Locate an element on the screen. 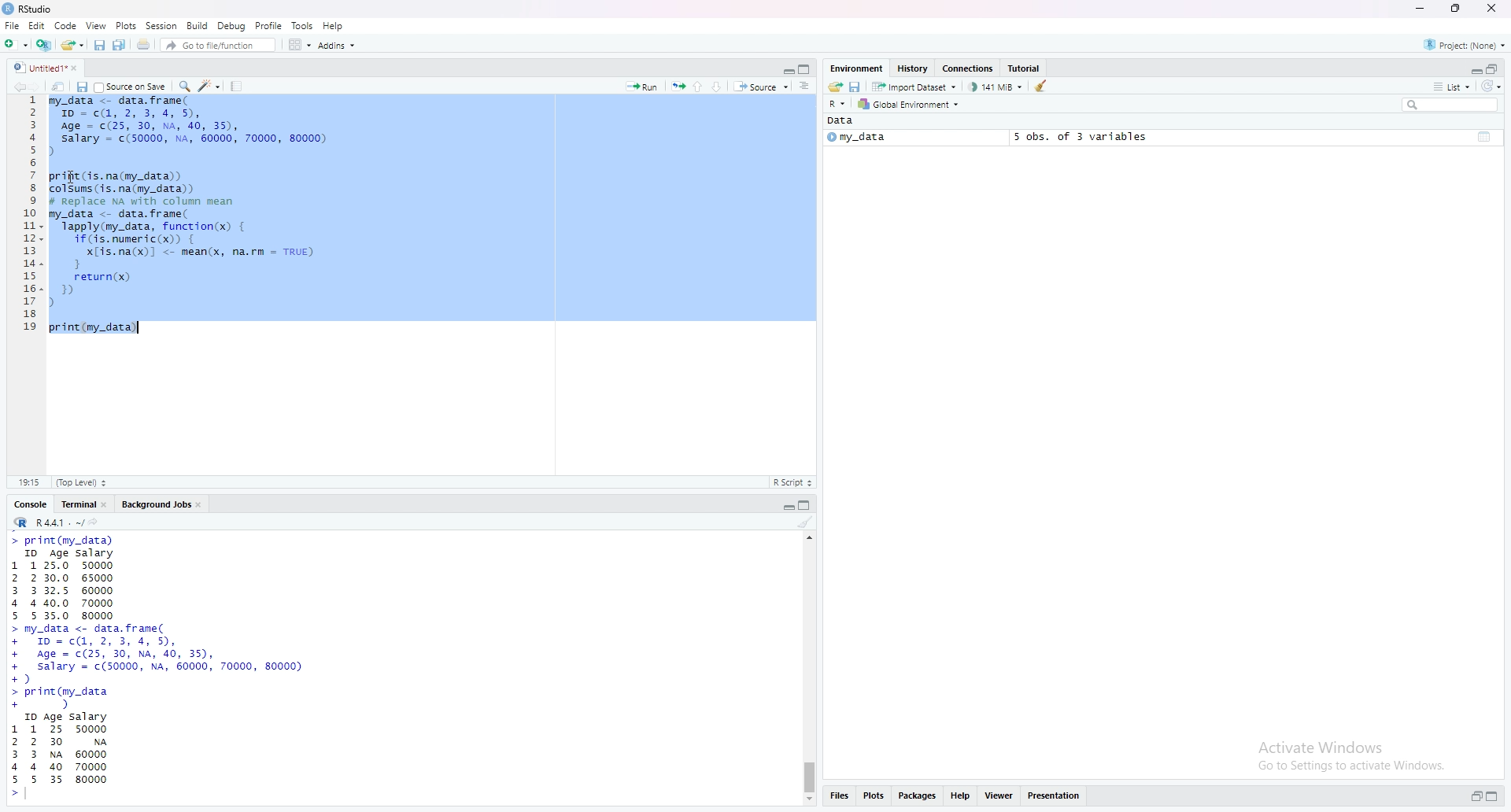 The image size is (1511, 812). text pointer is located at coordinates (29, 797).